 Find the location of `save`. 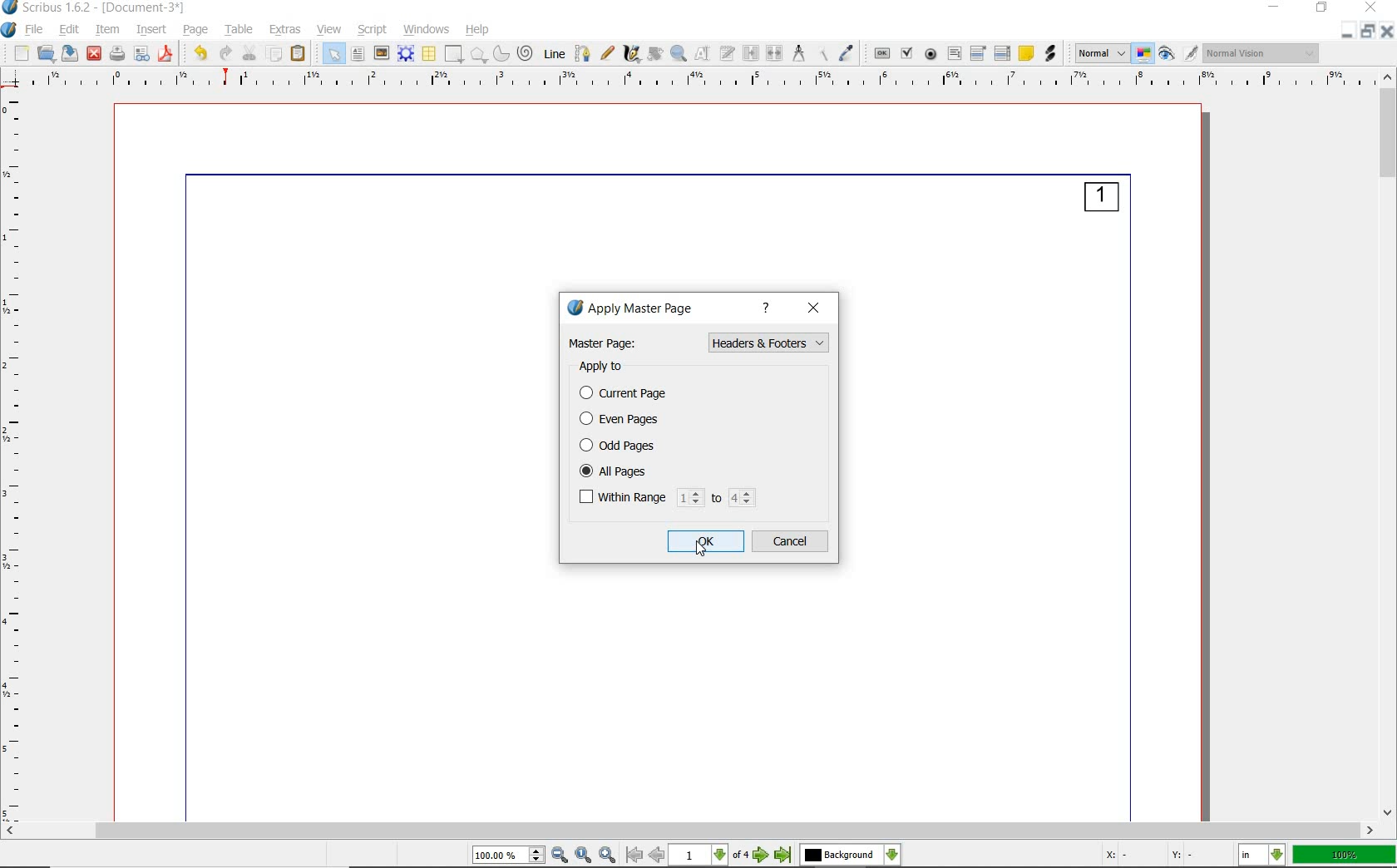

save is located at coordinates (68, 53).